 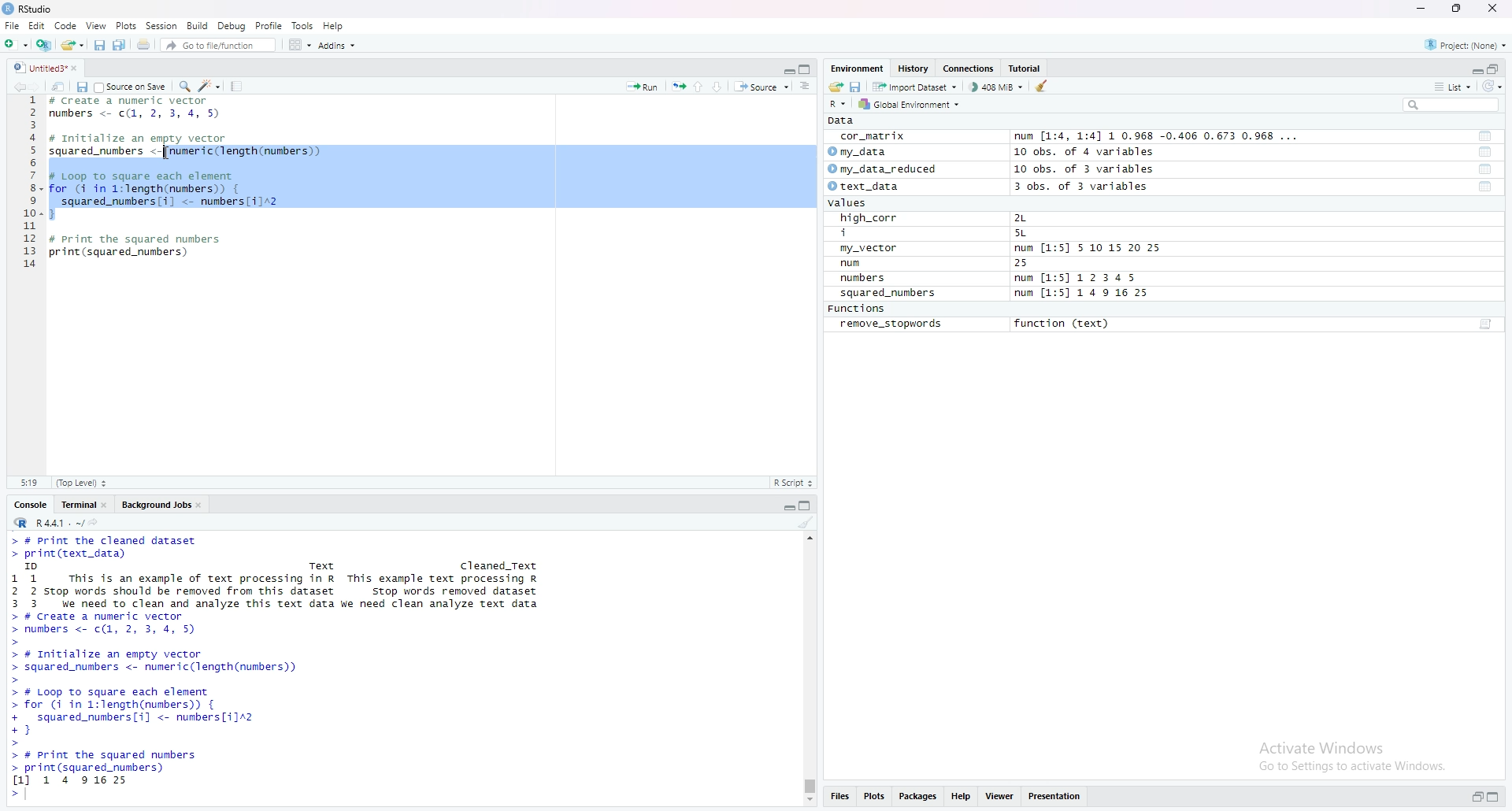 I want to click on maximize, so click(x=1498, y=798).